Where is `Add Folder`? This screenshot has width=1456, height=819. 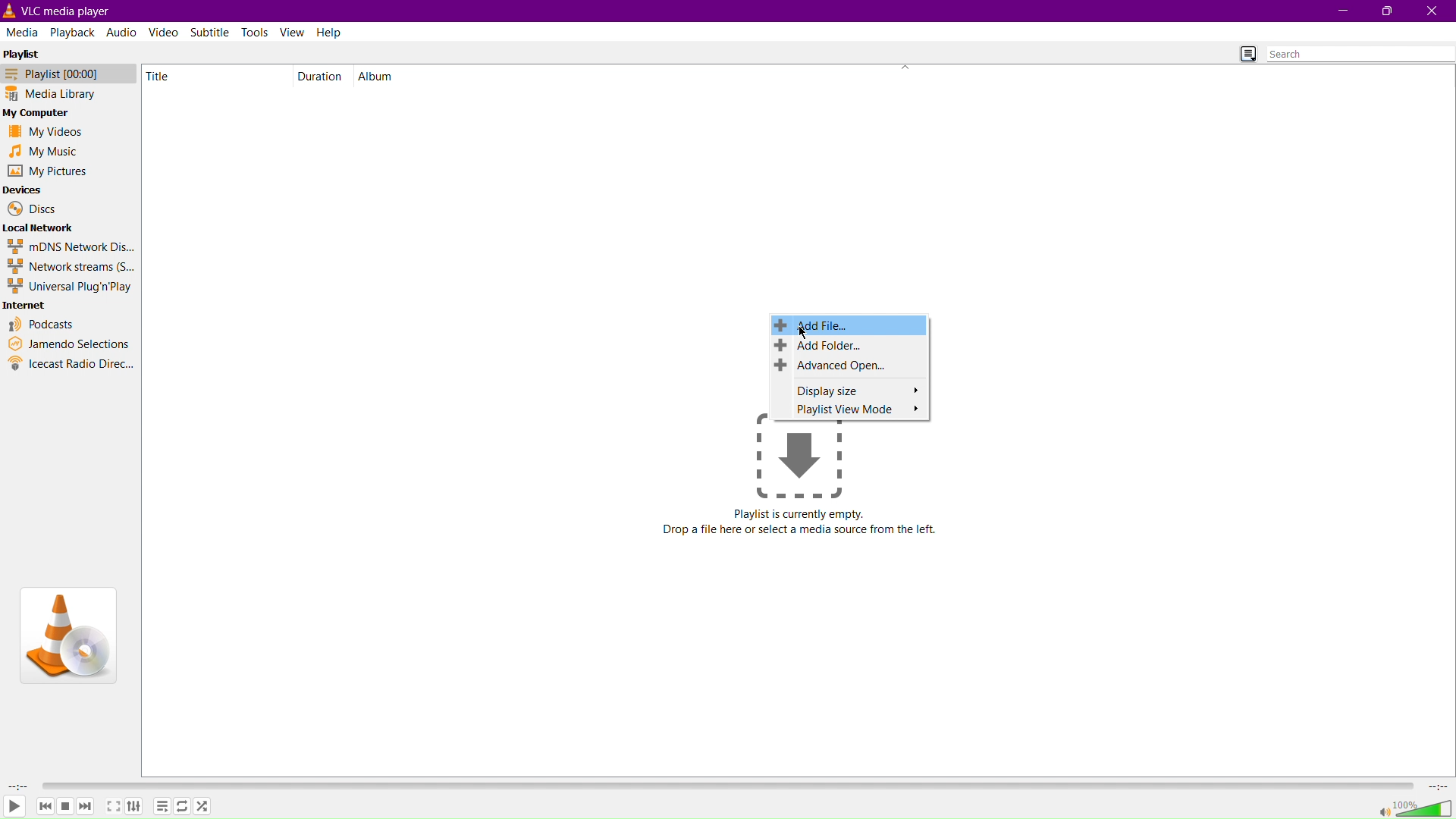
Add Folder is located at coordinates (850, 347).